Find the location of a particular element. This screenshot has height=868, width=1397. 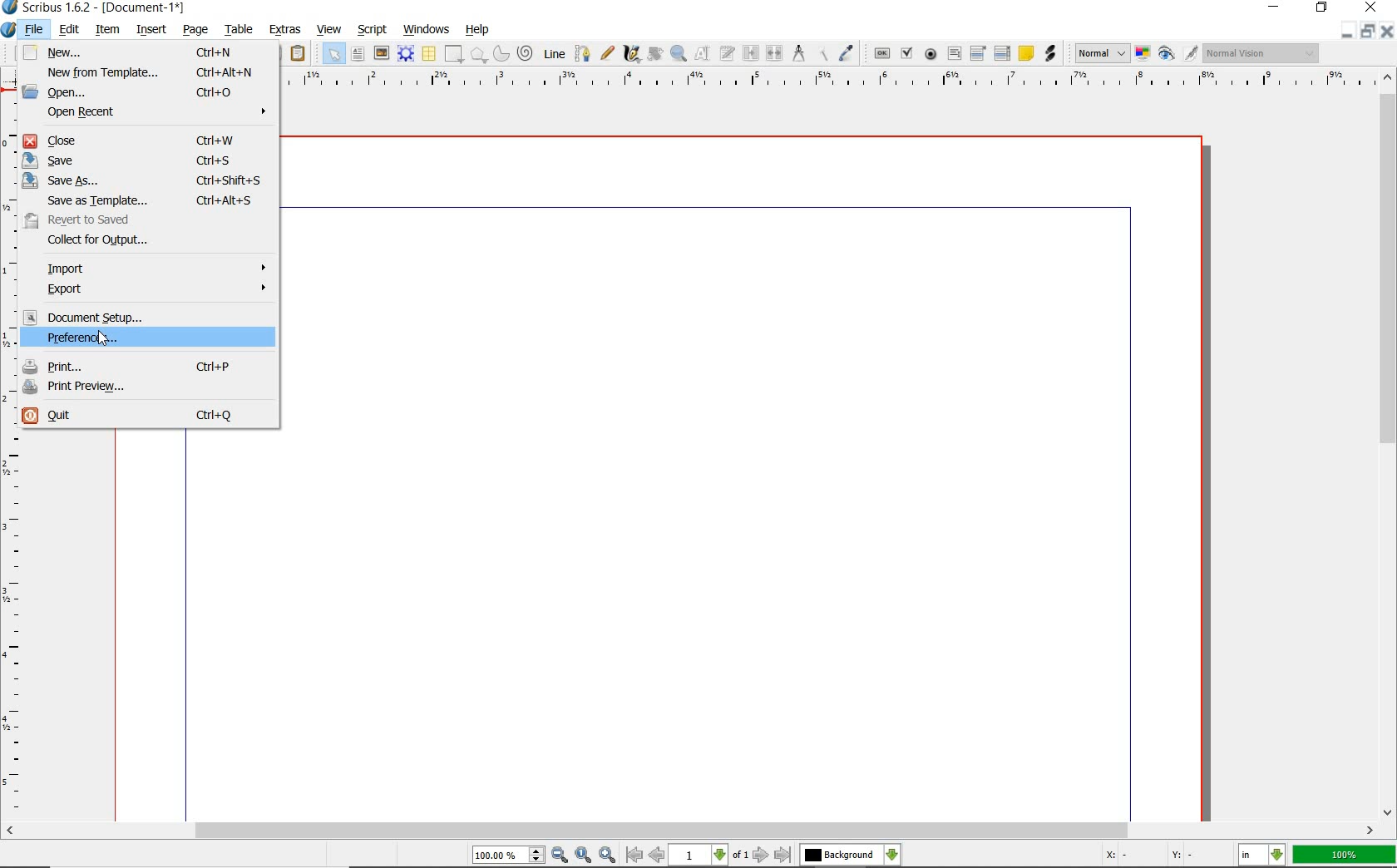

CLOSE is located at coordinates (147, 142).